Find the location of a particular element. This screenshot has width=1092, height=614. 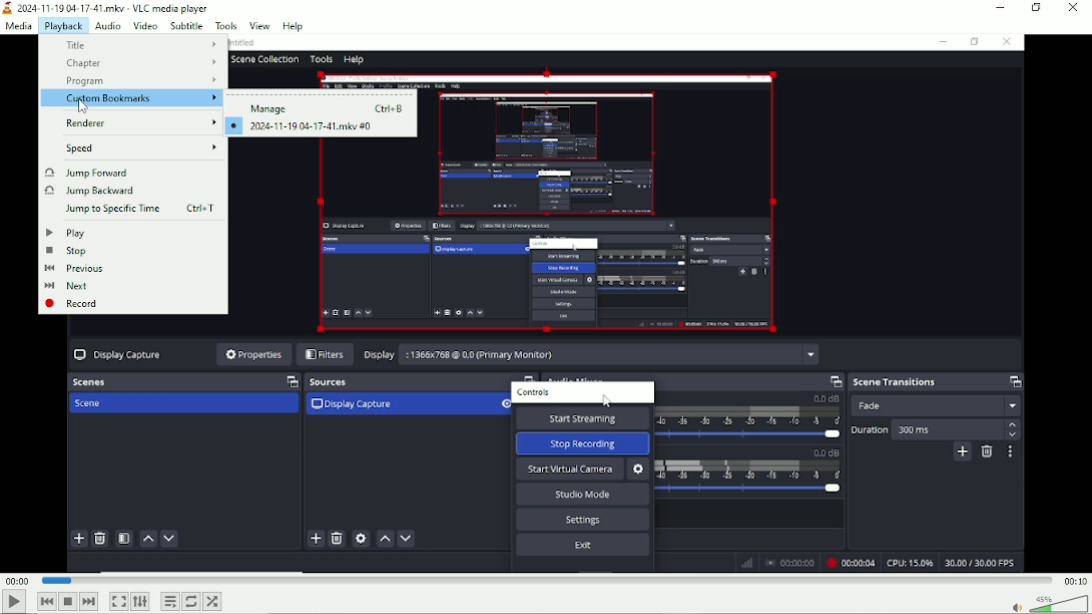

Minimize is located at coordinates (998, 7).